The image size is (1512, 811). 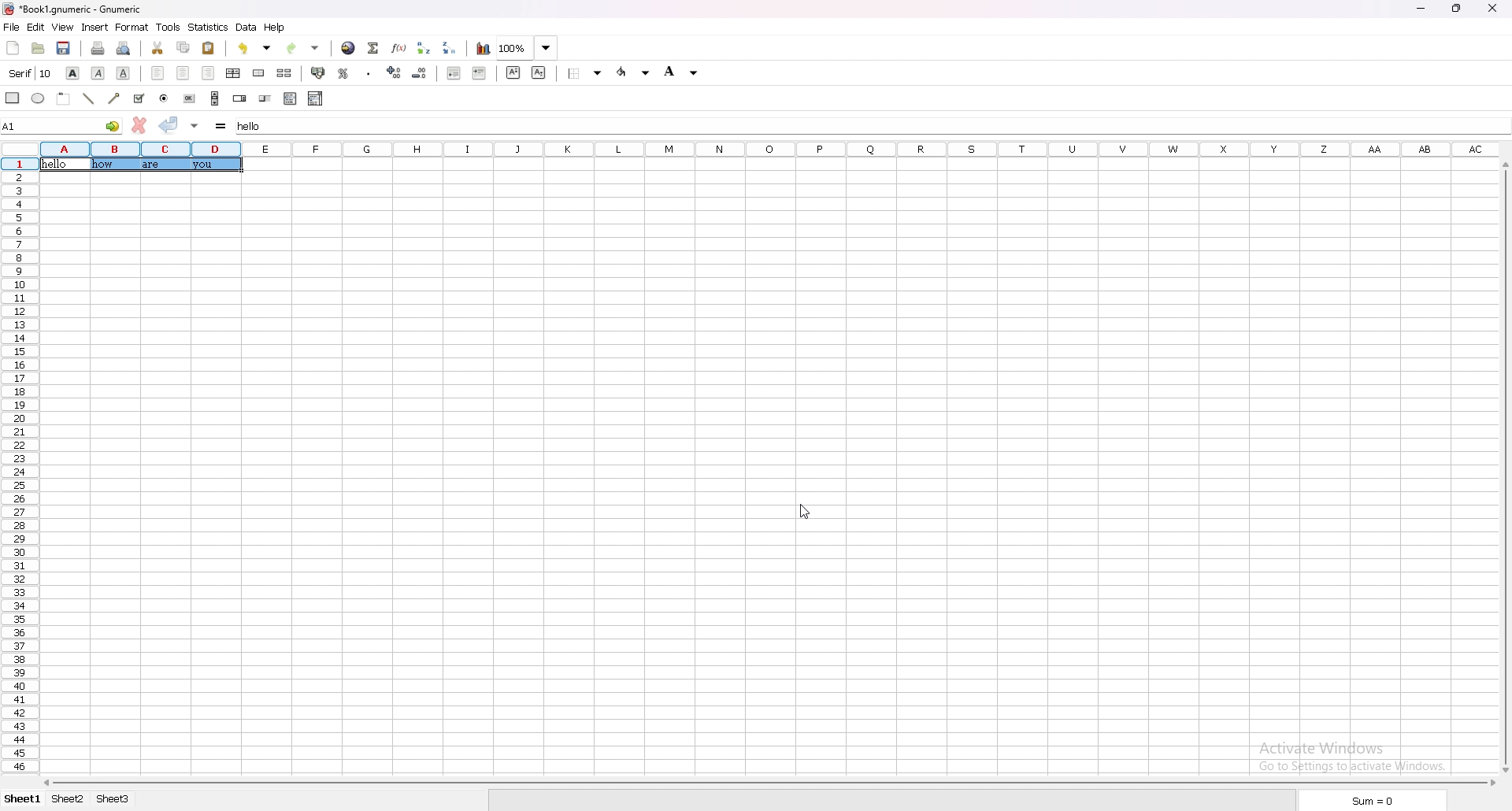 I want to click on border, so click(x=586, y=73).